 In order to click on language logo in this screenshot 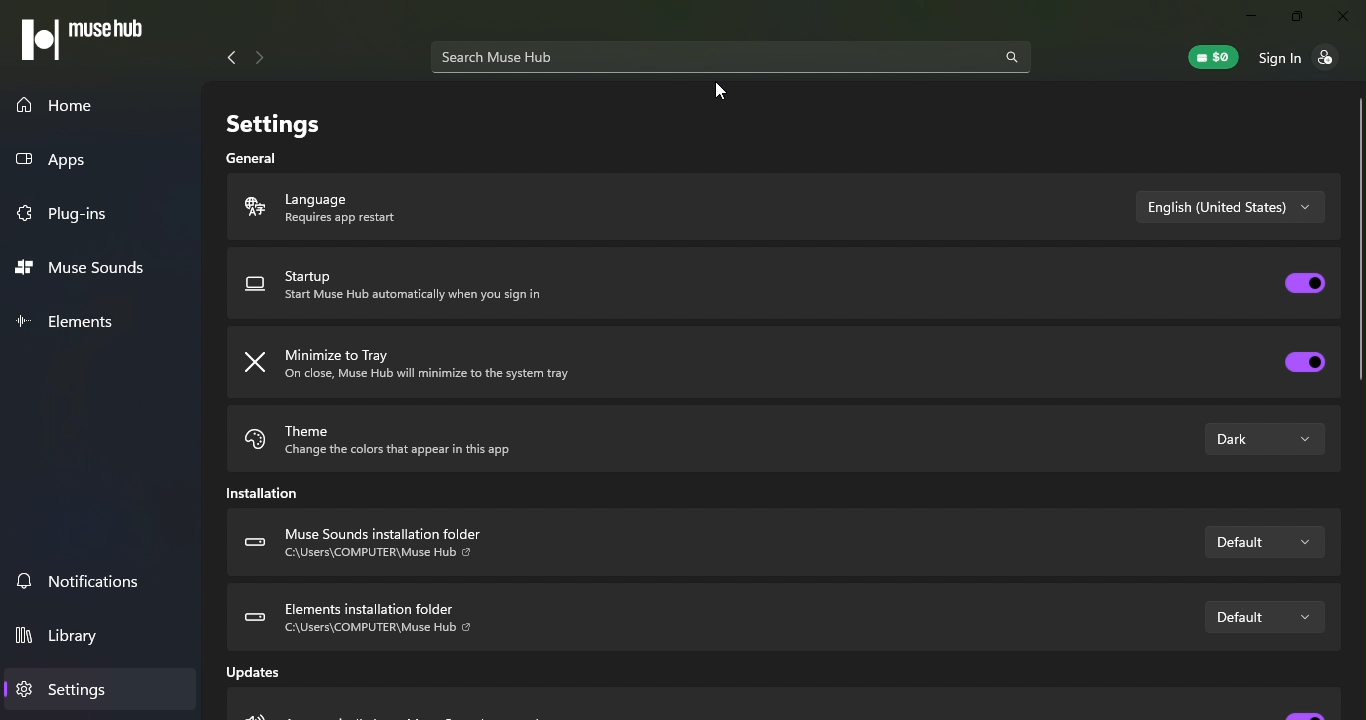, I will do `click(251, 209)`.